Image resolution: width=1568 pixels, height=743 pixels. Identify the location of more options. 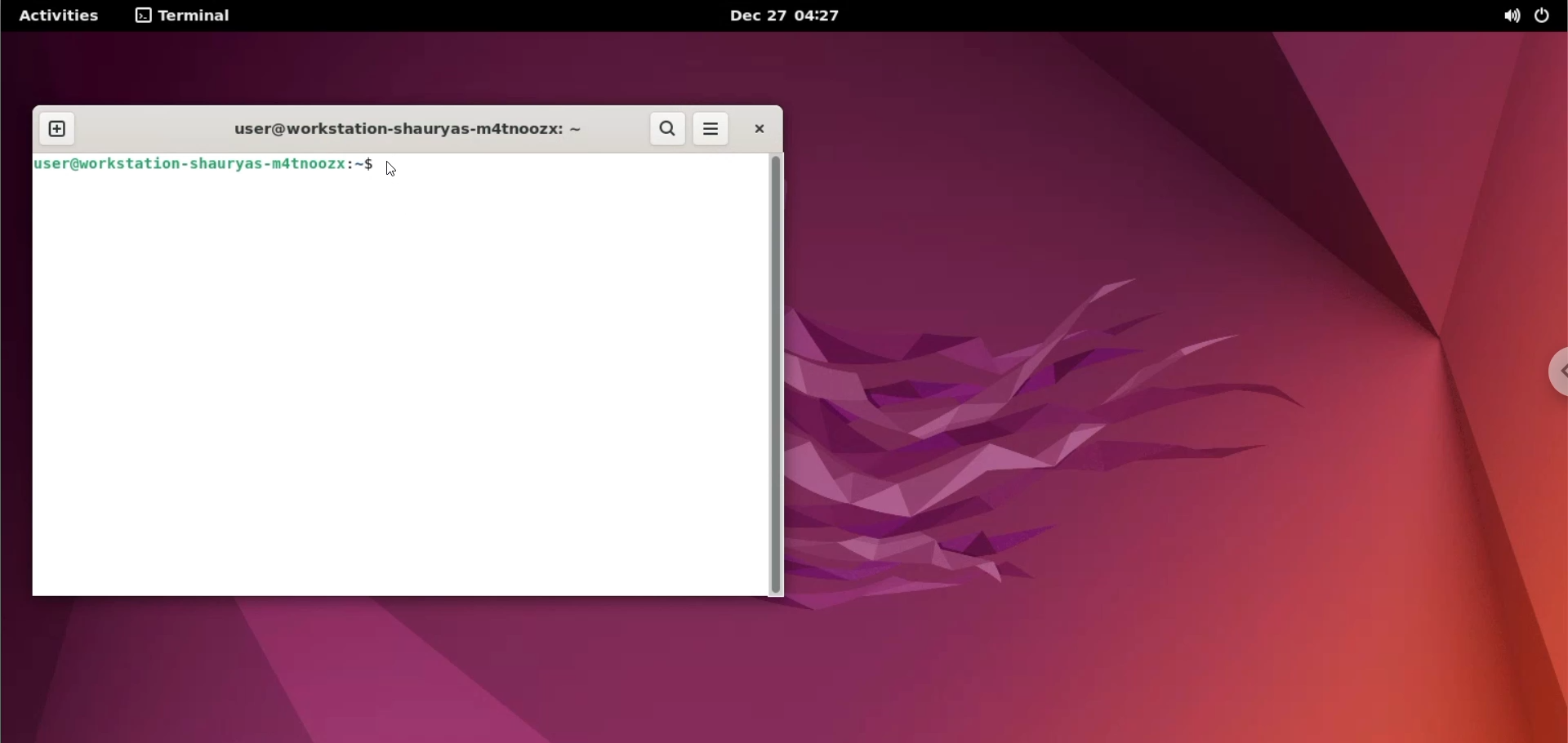
(709, 129).